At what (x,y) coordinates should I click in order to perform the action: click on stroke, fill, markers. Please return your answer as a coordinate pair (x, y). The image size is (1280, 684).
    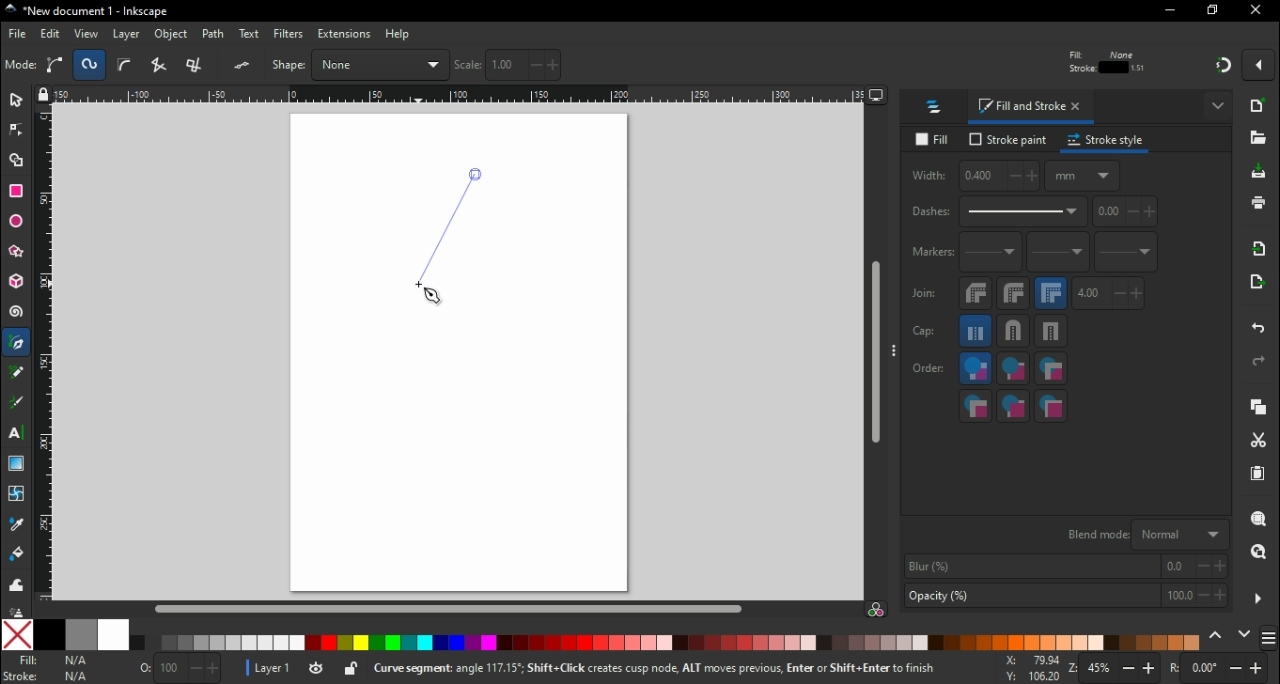
    Looking at the image, I should click on (1012, 372).